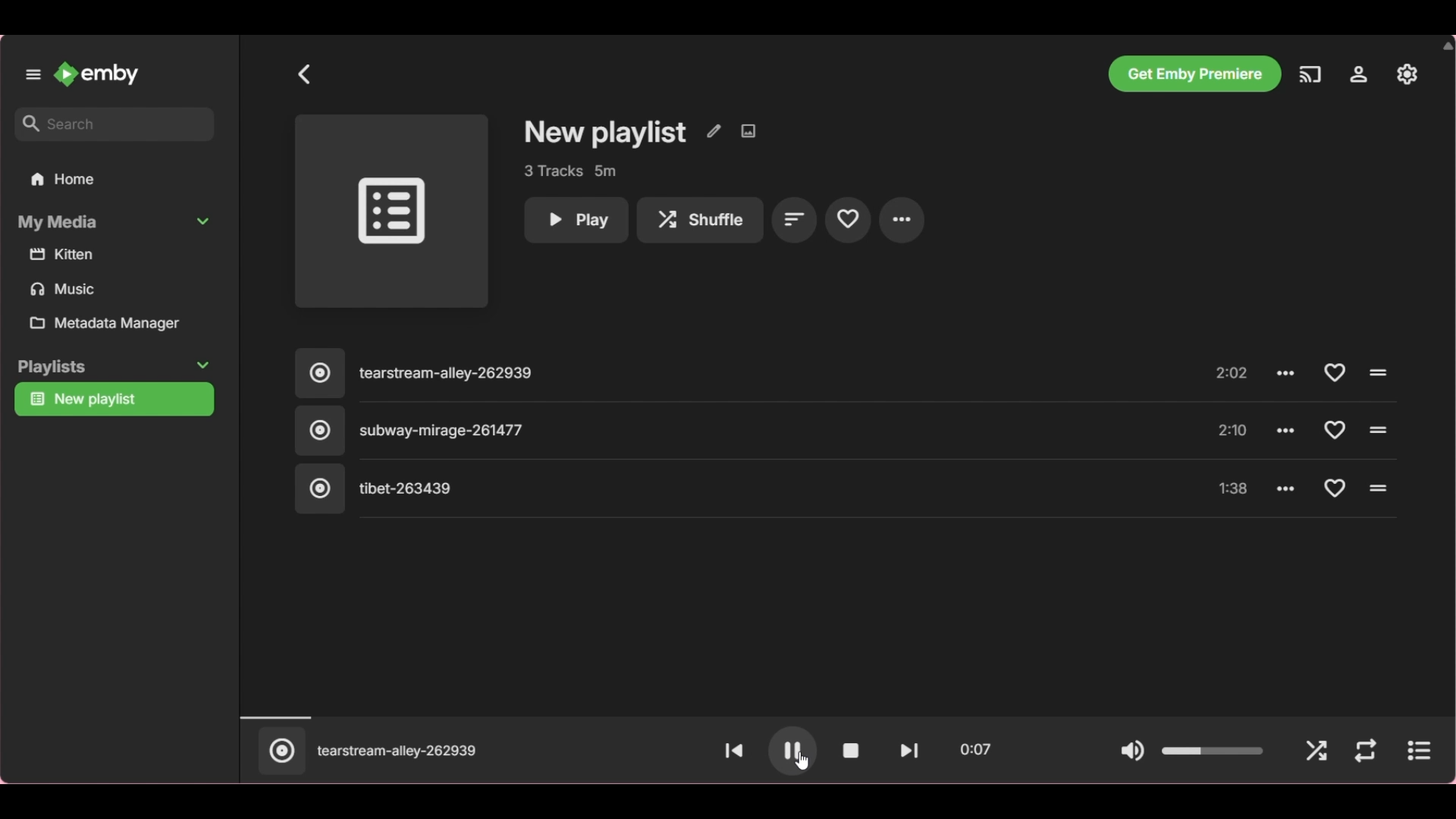  What do you see at coordinates (908, 751) in the screenshot?
I see `Go to next song` at bounding box center [908, 751].